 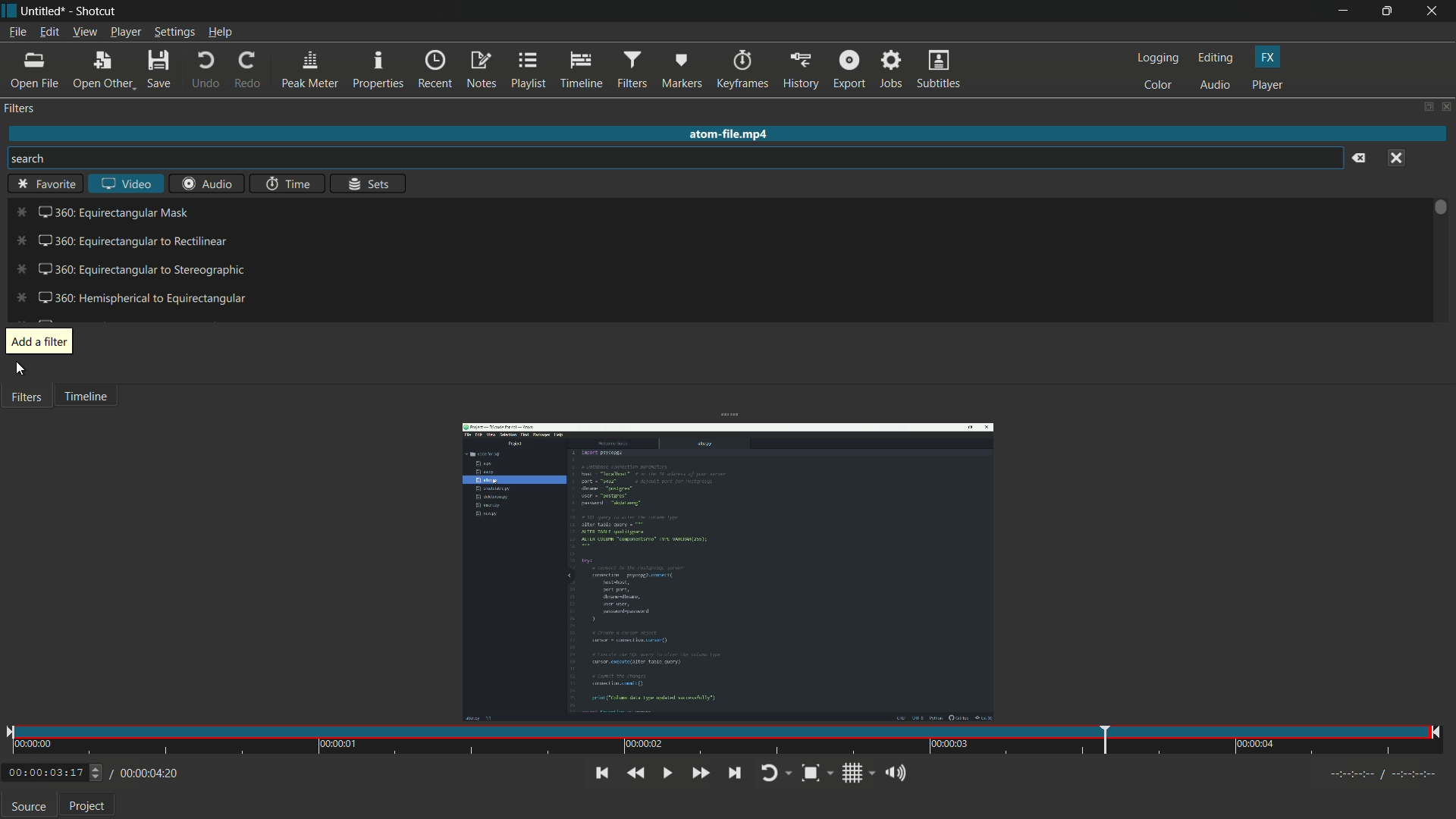 What do you see at coordinates (45, 184) in the screenshot?
I see `favorite` at bounding box center [45, 184].